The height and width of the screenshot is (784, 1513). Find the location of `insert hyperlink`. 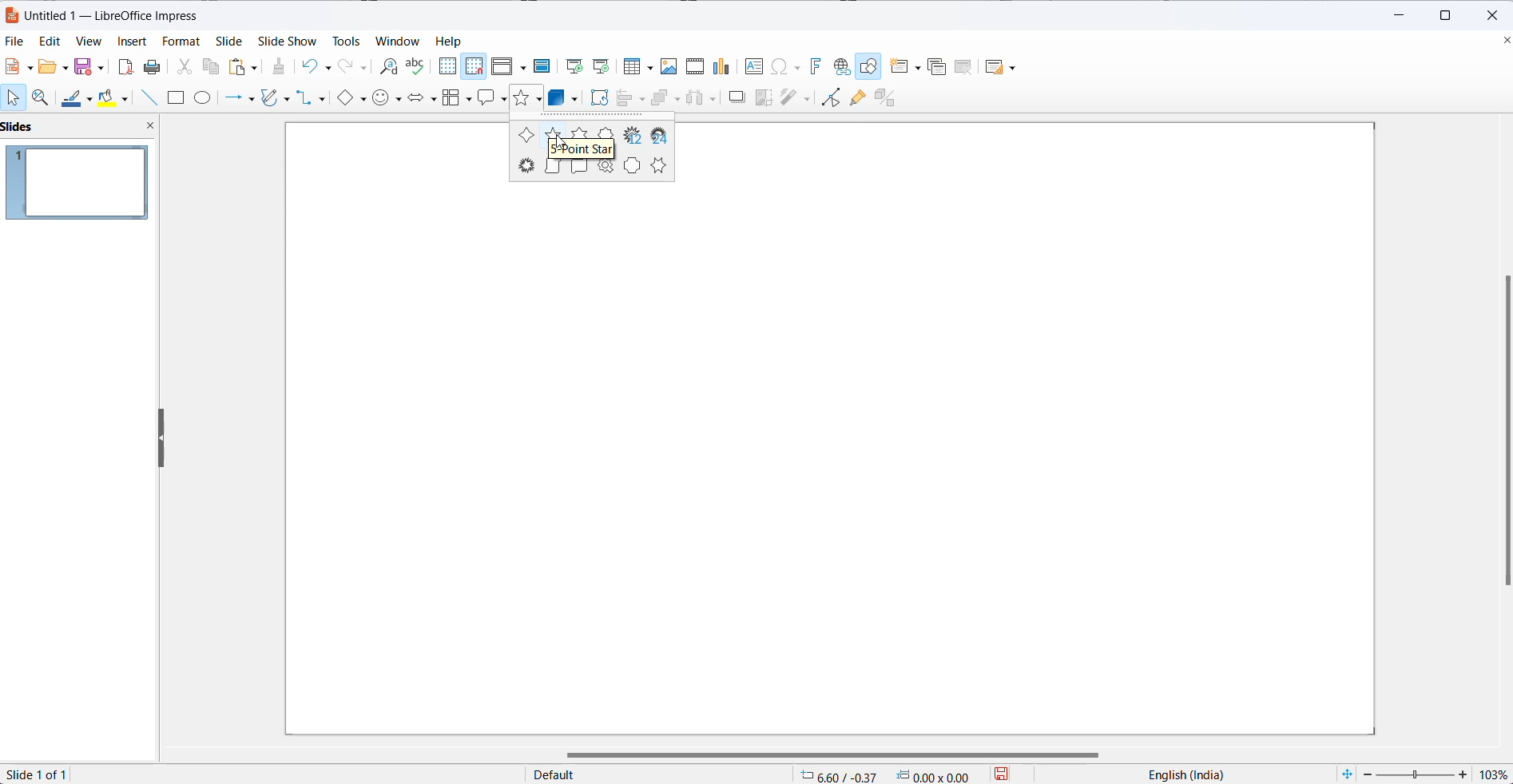

insert hyperlink is located at coordinates (841, 66).